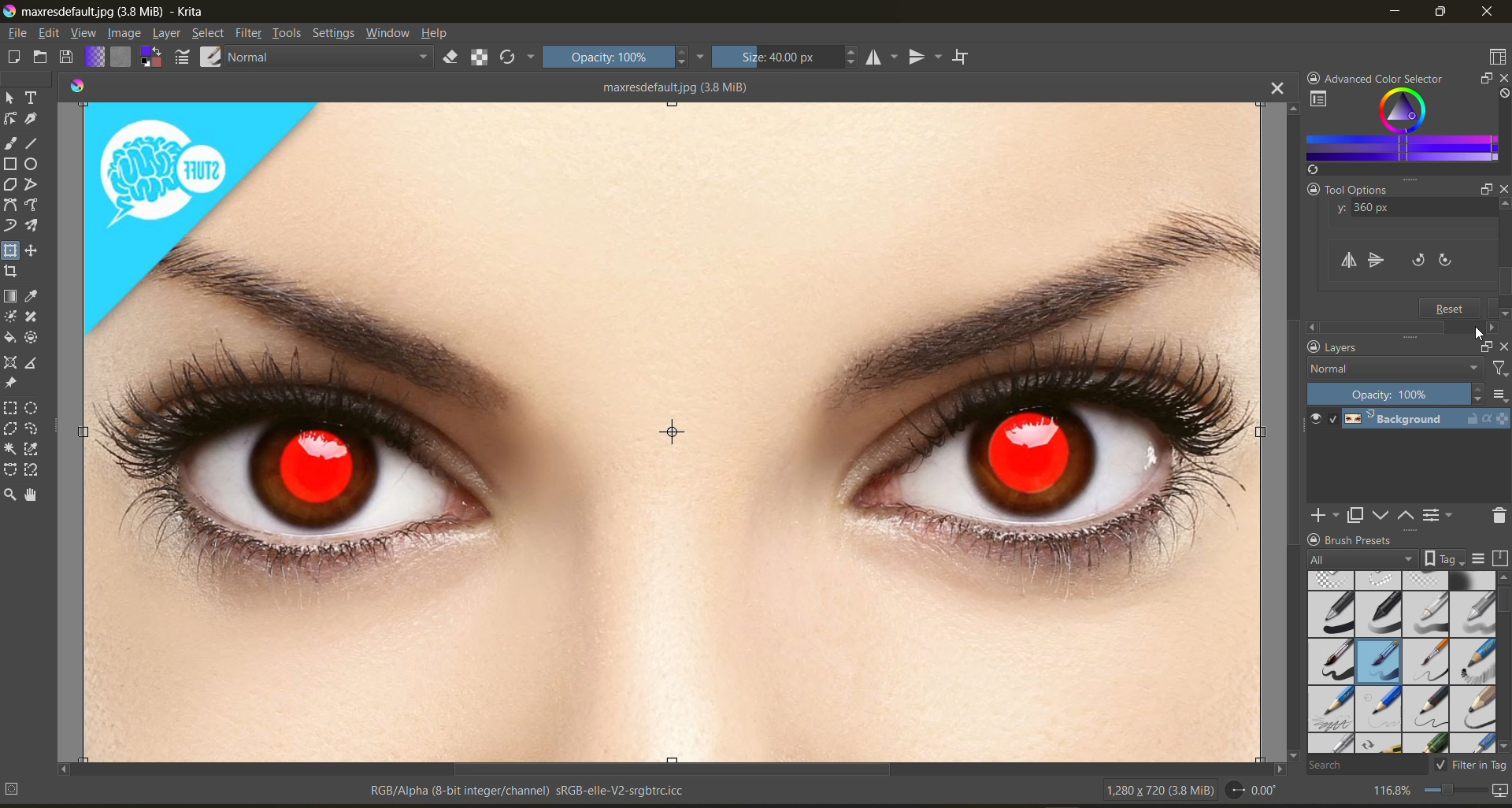 This screenshot has width=1512, height=808. I want to click on rotate canvas clockwise, so click(1451, 261).